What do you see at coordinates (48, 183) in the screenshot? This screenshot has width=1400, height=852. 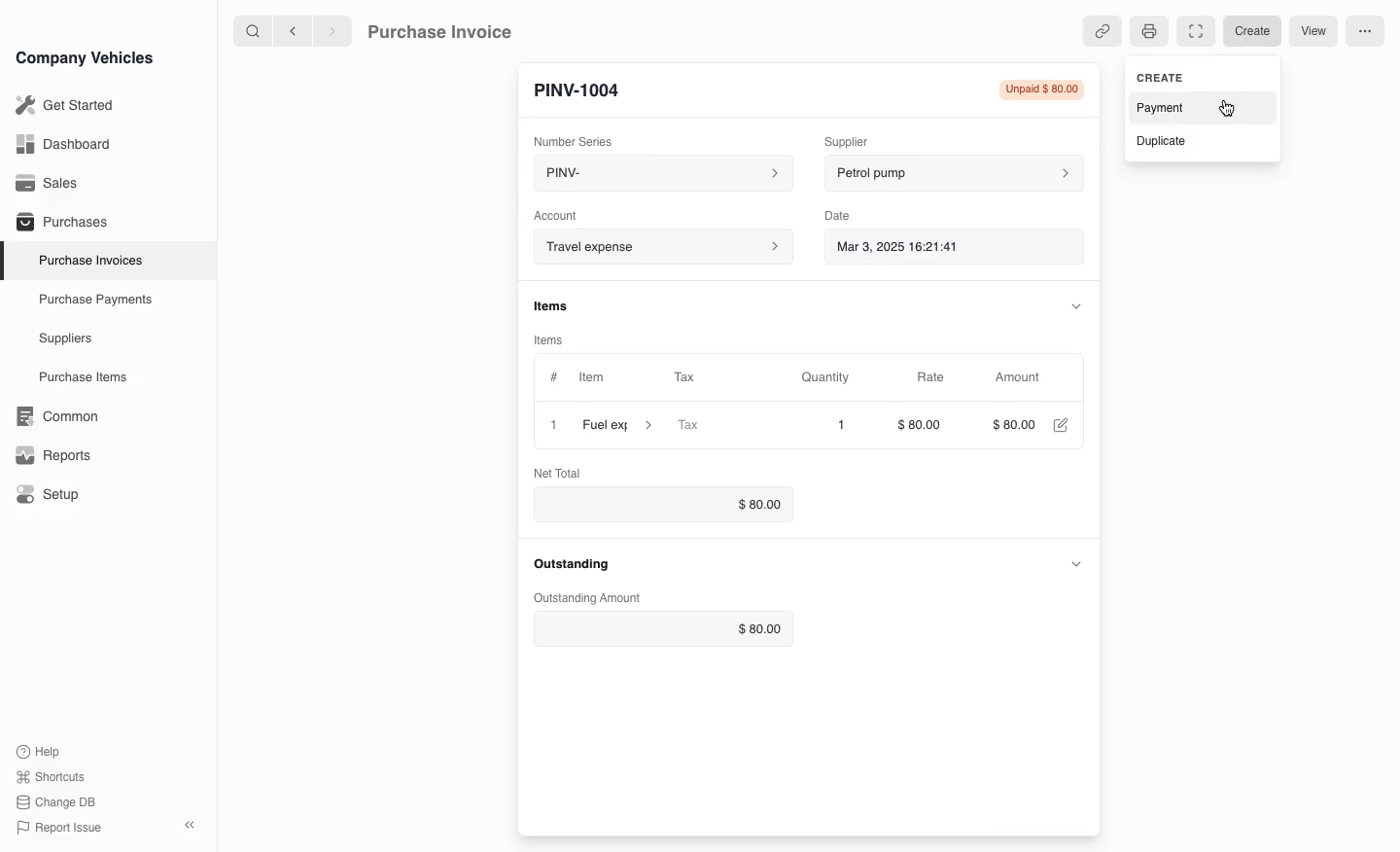 I see `Sales` at bounding box center [48, 183].